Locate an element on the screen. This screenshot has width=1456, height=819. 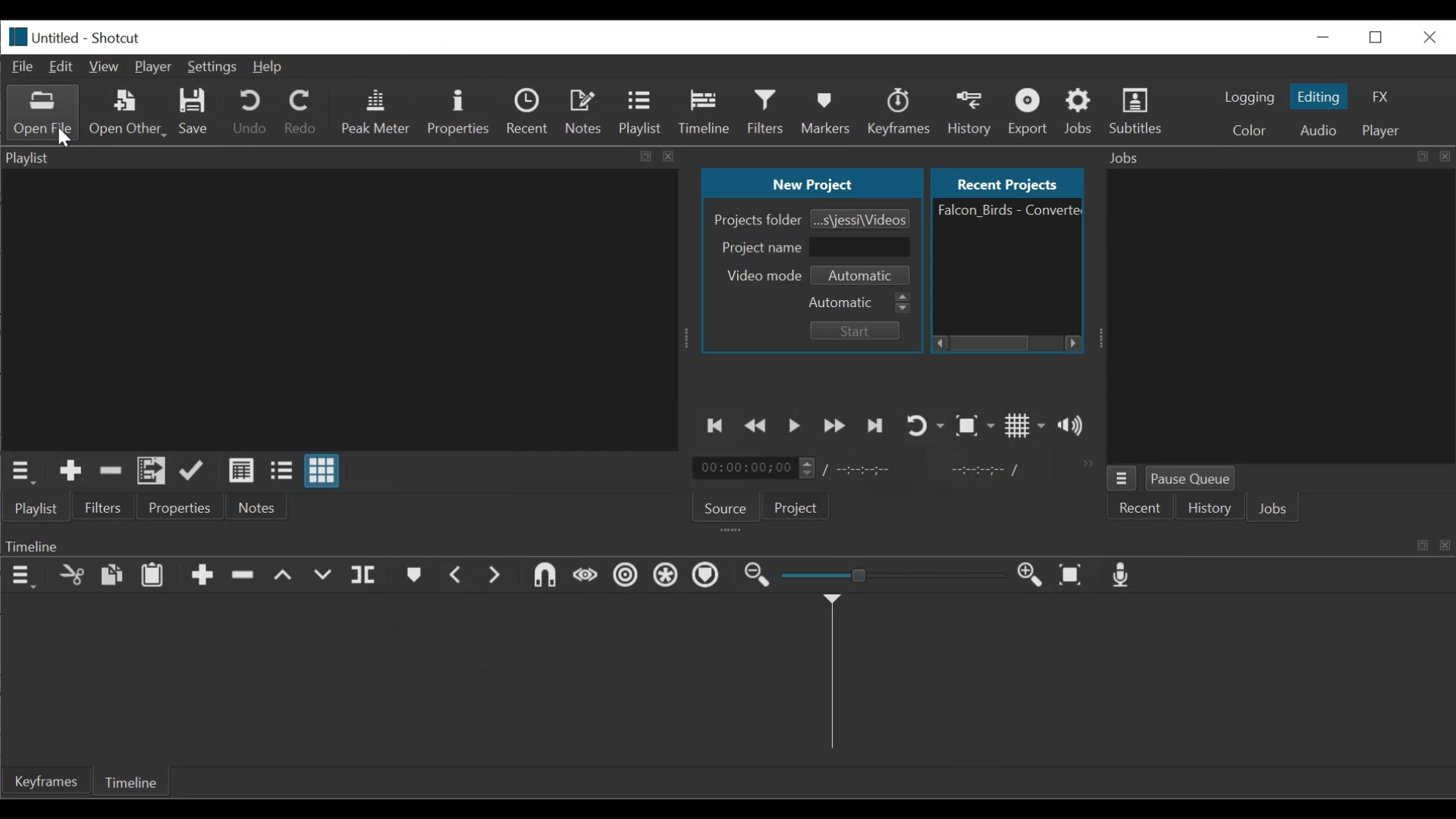
In point is located at coordinates (985, 472).